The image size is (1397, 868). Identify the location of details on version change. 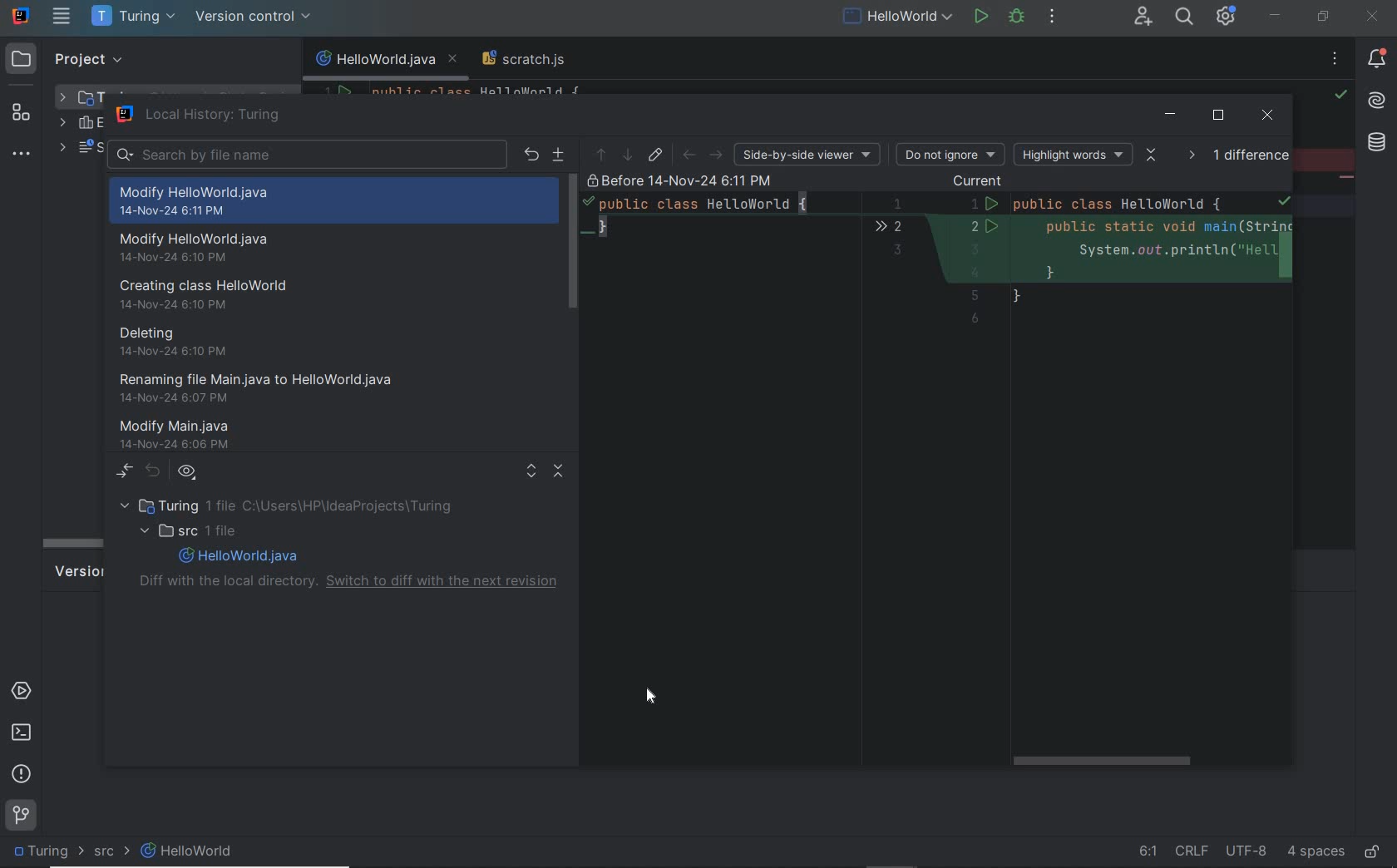
(939, 252).